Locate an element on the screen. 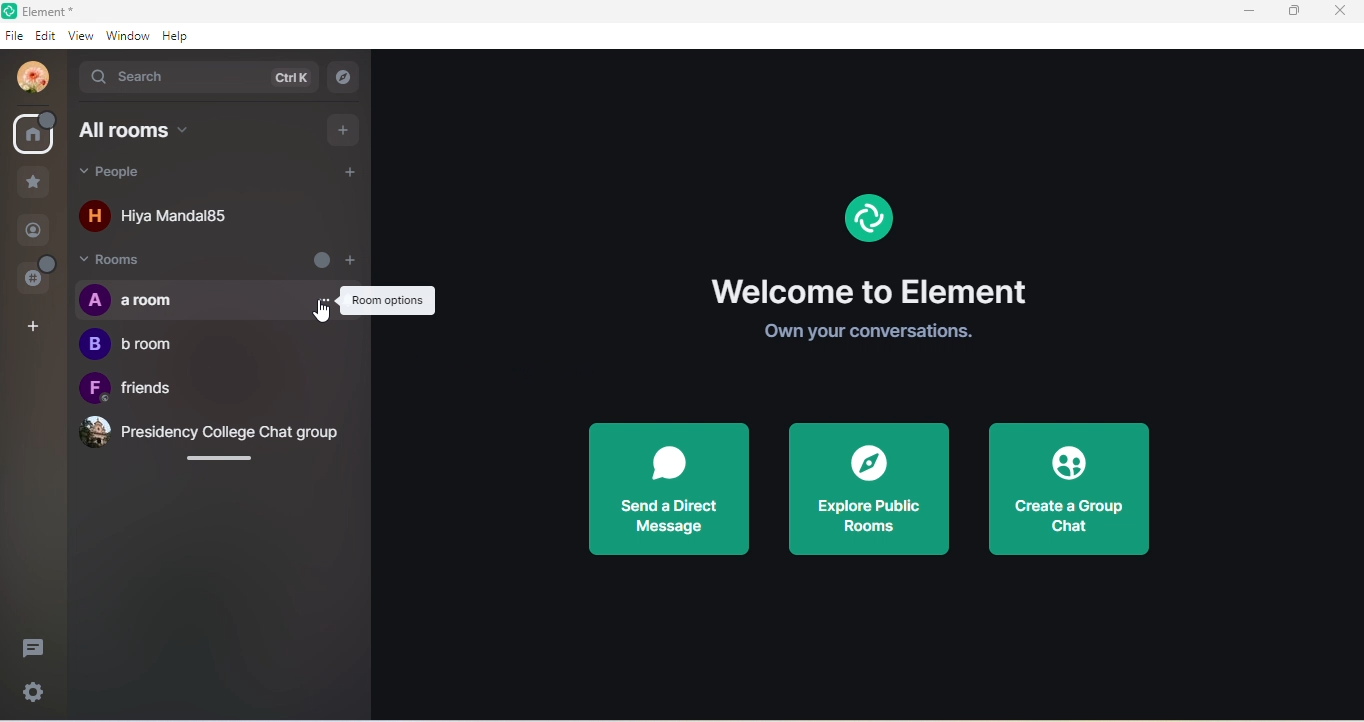 This screenshot has height=722, width=1364. element logo is located at coordinates (868, 213).